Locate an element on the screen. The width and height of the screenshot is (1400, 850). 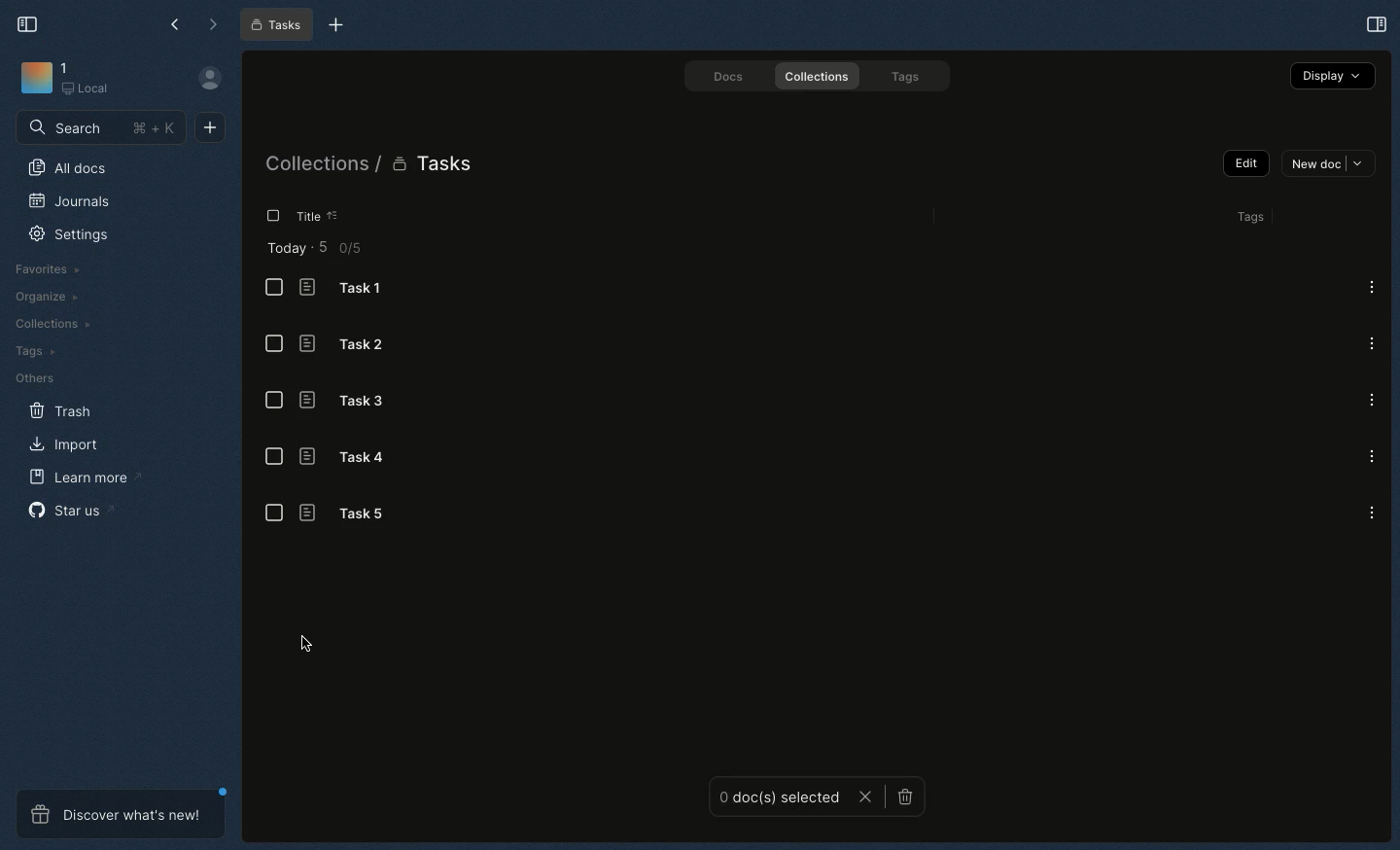
Options is located at coordinates (1370, 399).